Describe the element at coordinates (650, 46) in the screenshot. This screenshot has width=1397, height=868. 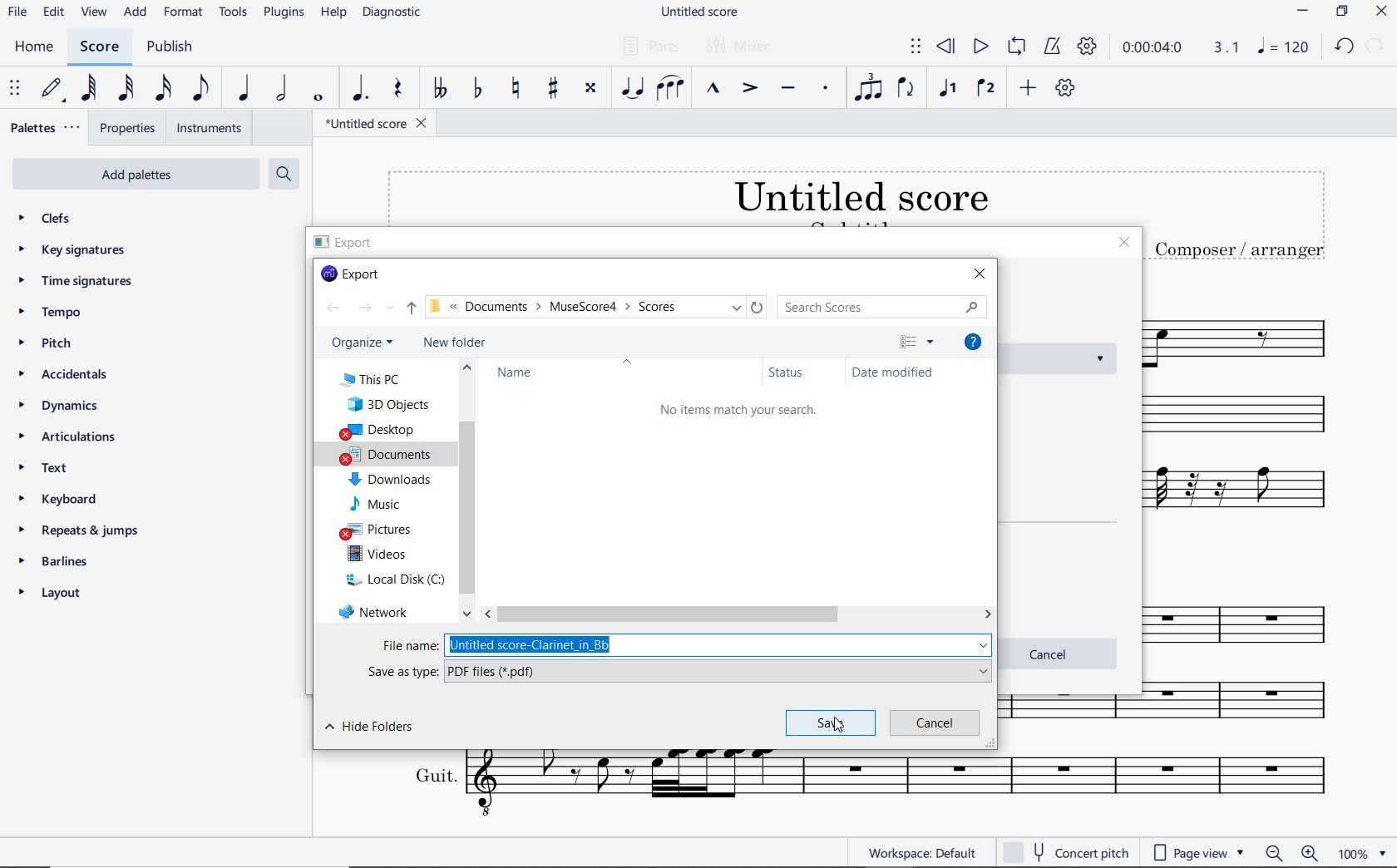
I see `PARTS` at that location.